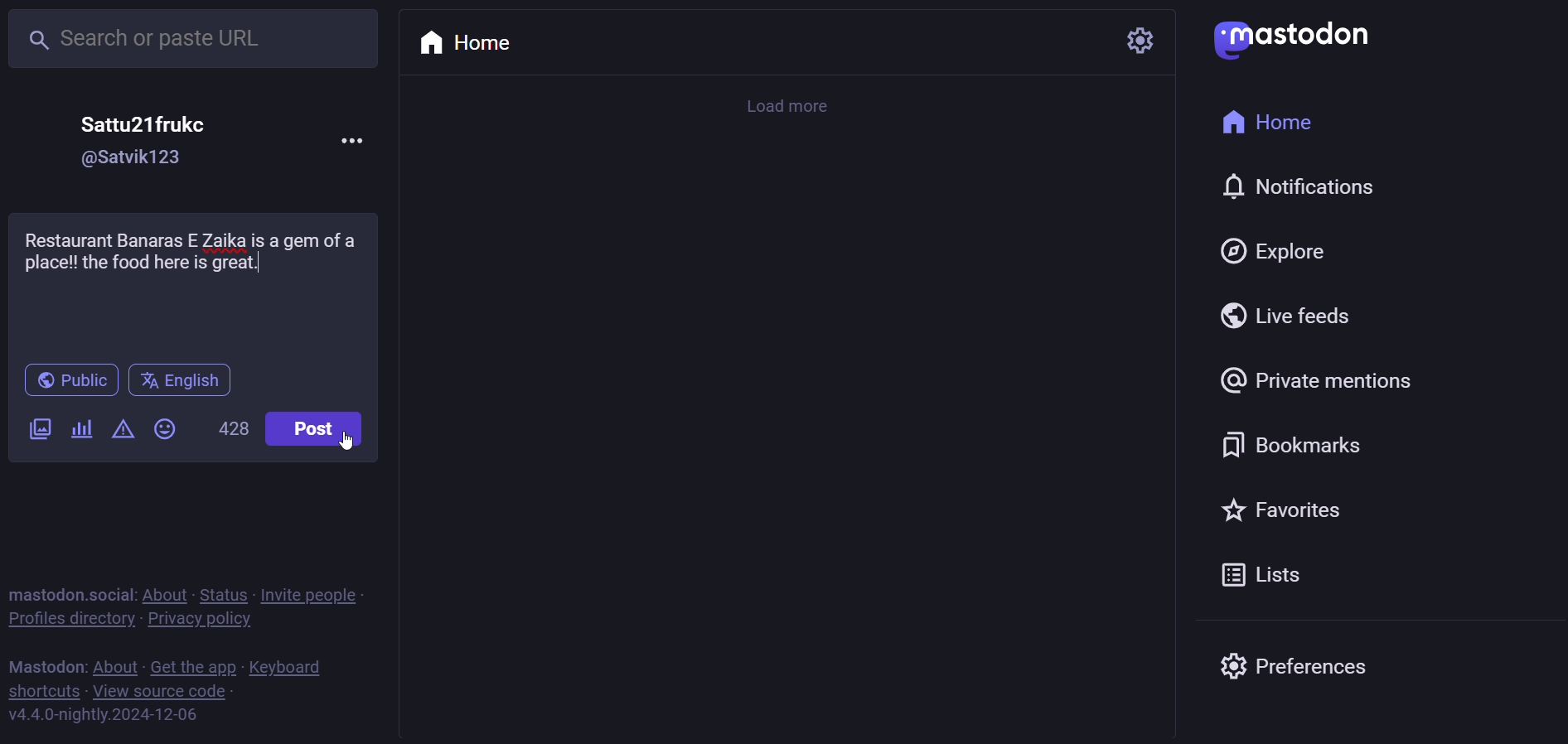  What do you see at coordinates (1290, 660) in the screenshot?
I see `preference` at bounding box center [1290, 660].